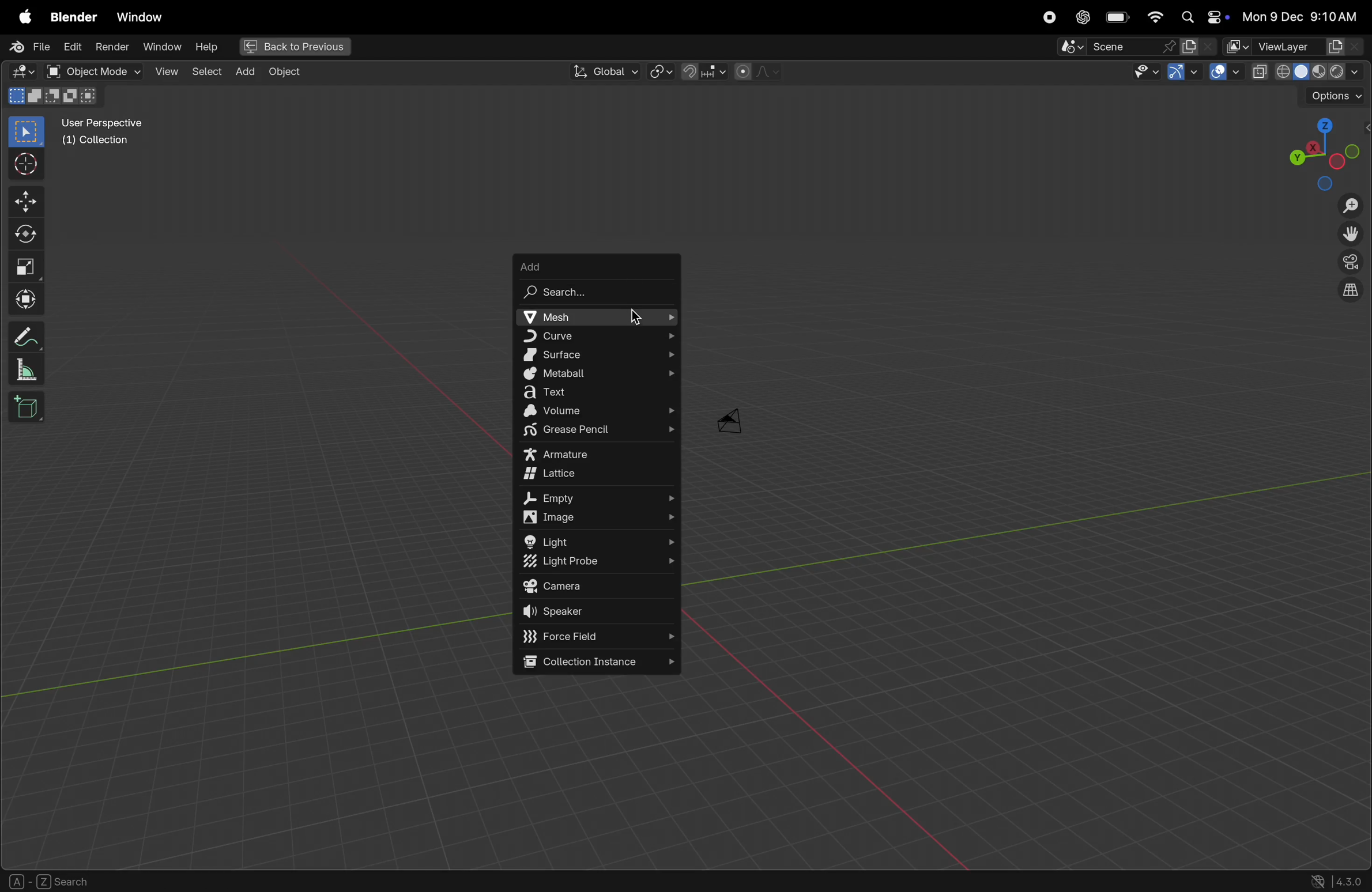  Describe the element at coordinates (242, 71) in the screenshot. I see `add` at that location.